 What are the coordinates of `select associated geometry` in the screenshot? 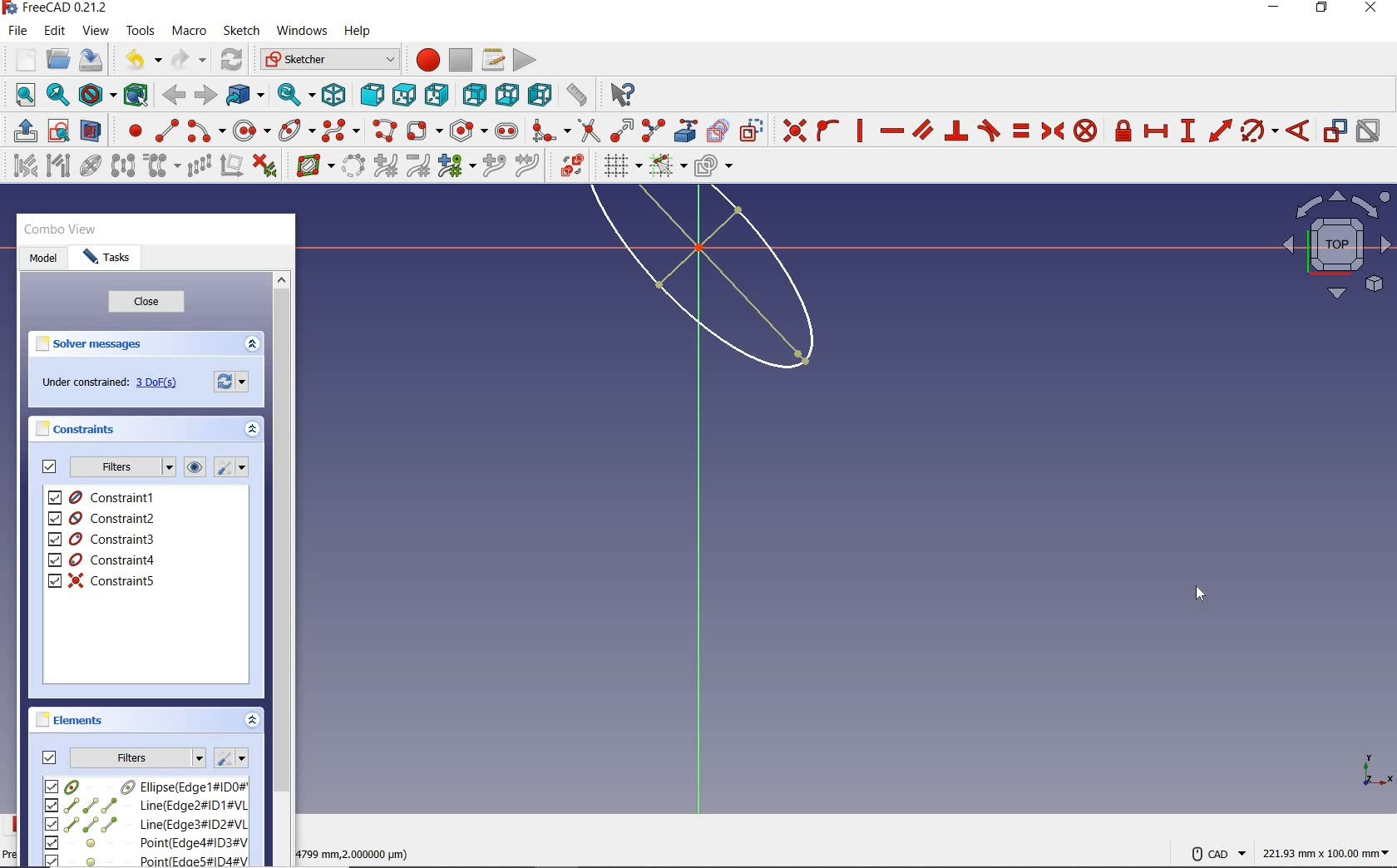 It's located at (58, 167).